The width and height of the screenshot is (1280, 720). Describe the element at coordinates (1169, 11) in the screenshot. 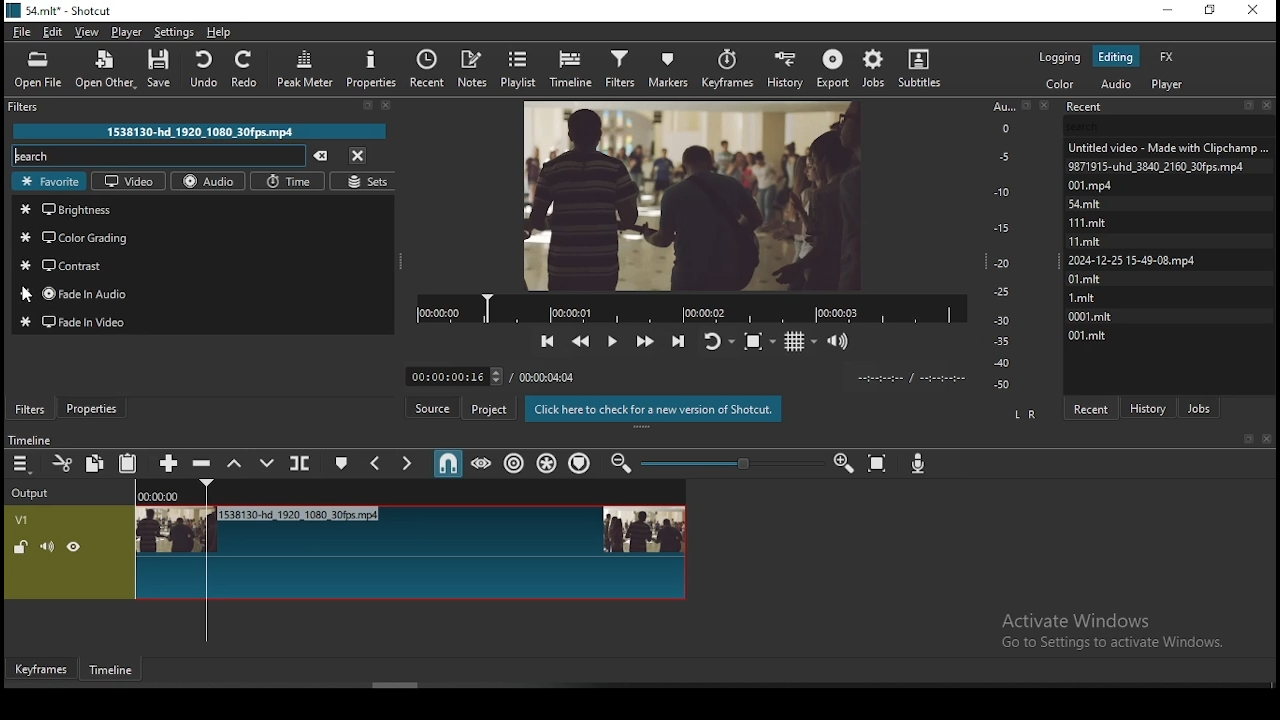

I see `minimize` at that location.